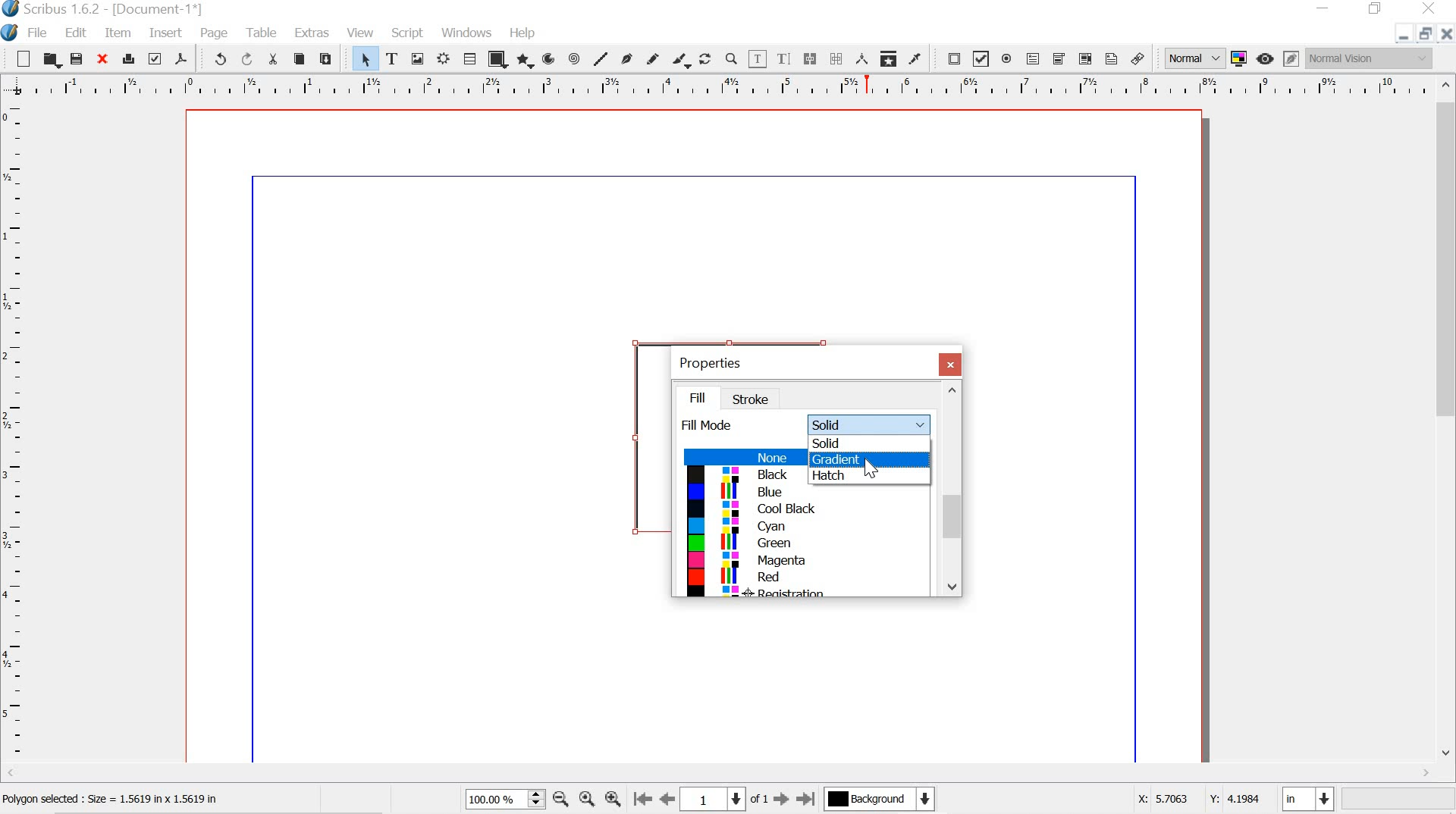  I want to click on eye dropper, so click(919, 58).